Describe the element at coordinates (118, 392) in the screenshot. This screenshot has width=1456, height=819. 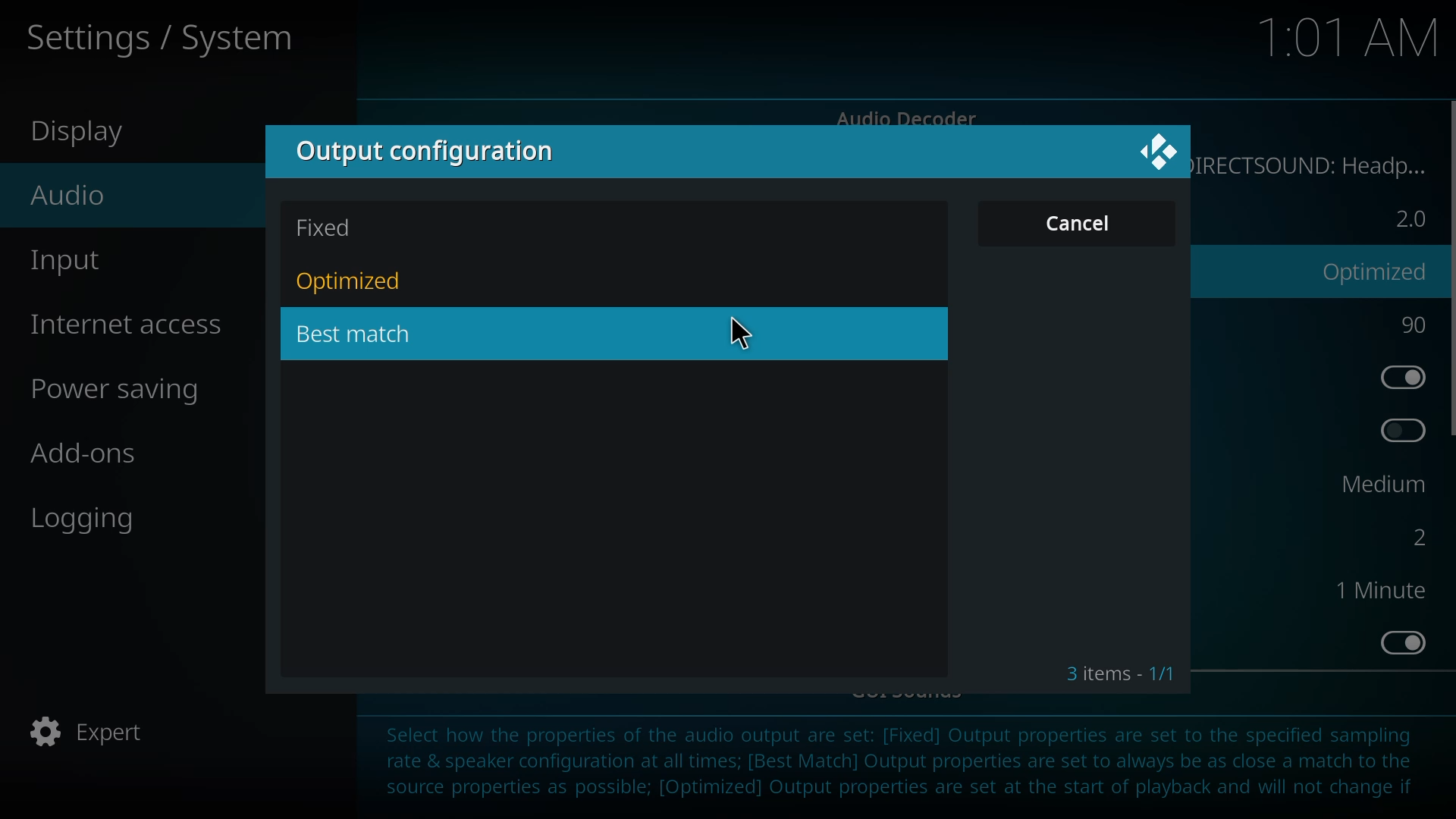
I see `power saving` at that location.